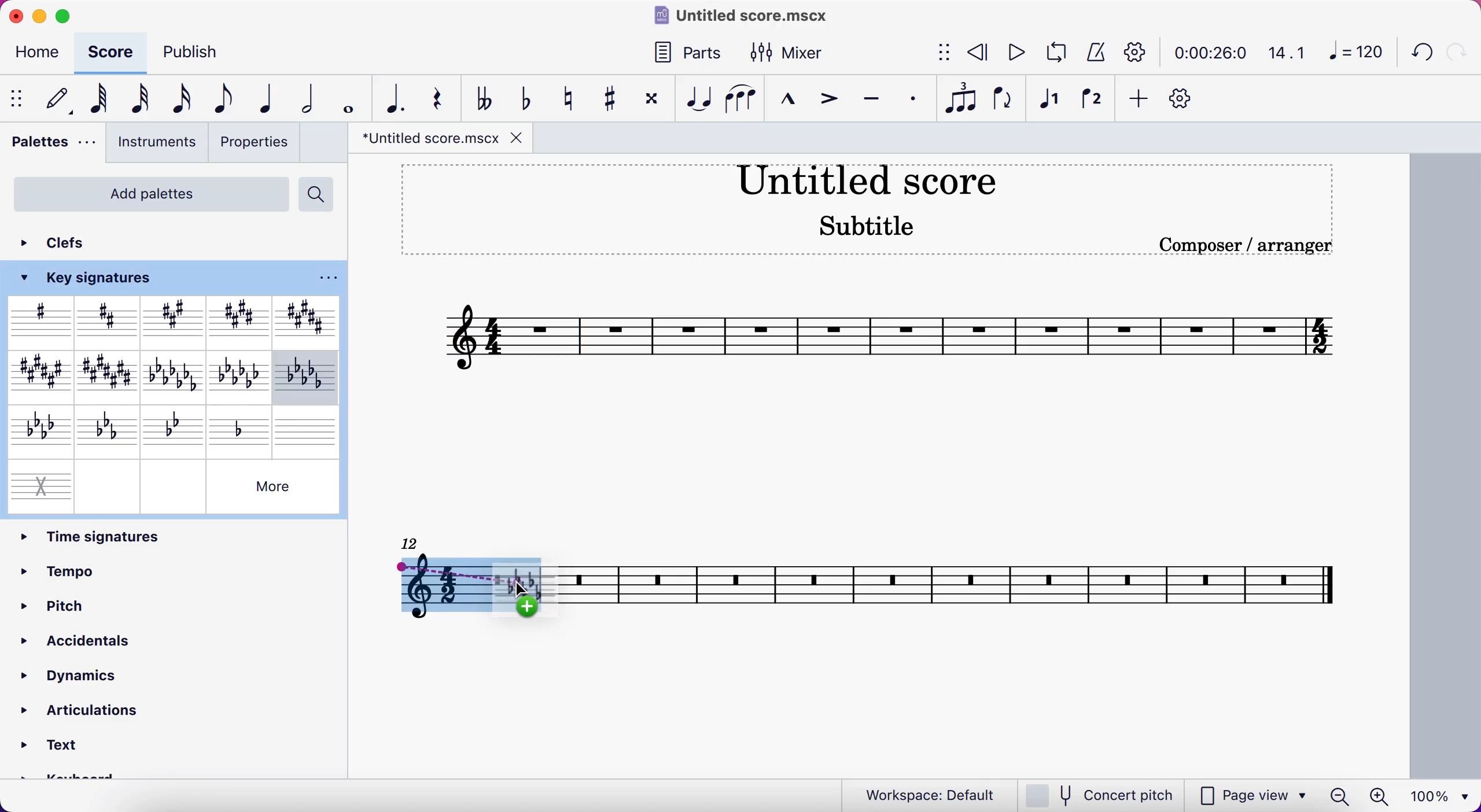 The image size is (1481, 812). Describe the element at coordinates (62, 99) in the screenshot. I see `edit` at that location.